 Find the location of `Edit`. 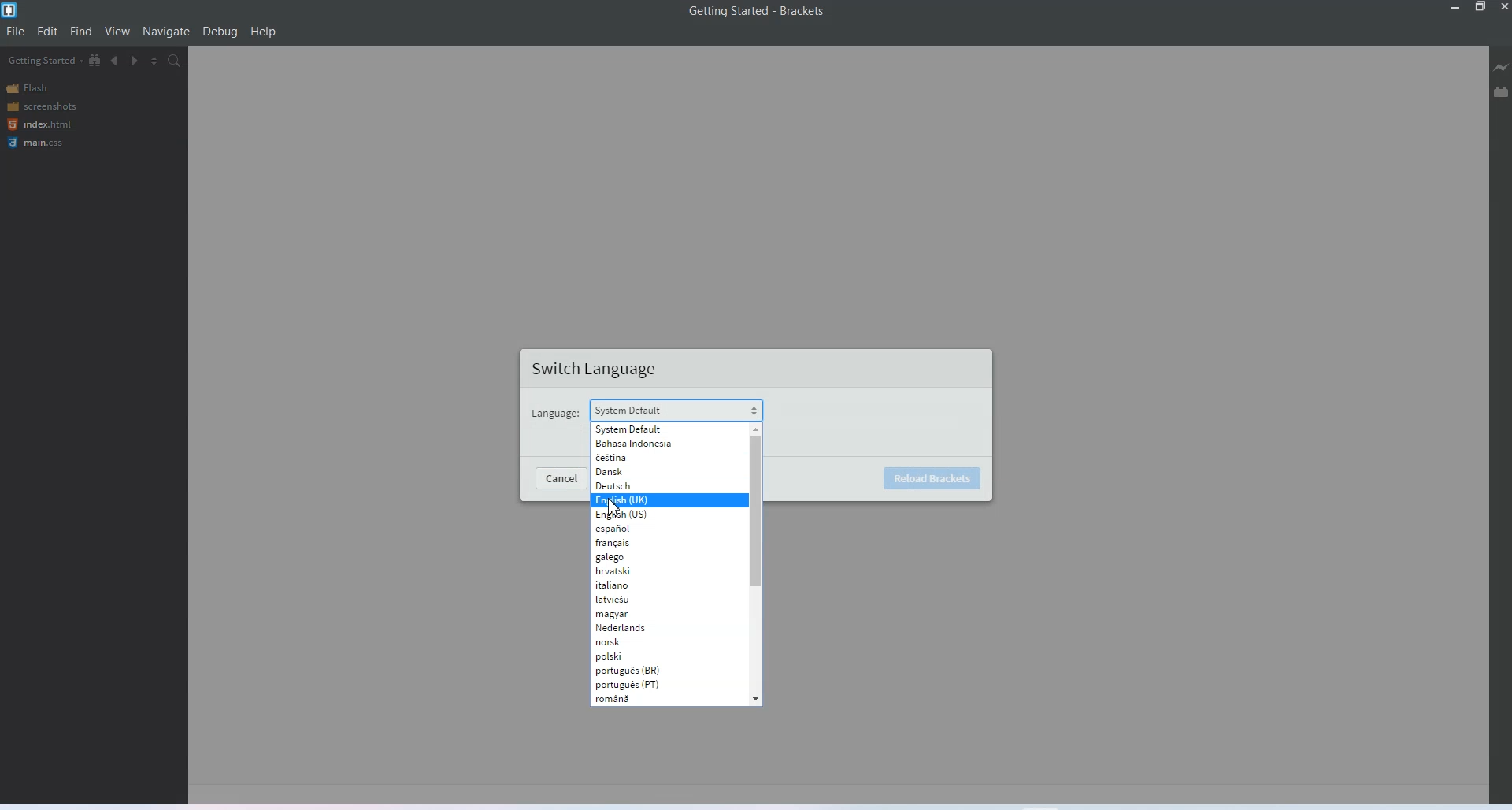

Edit is located at coordinates (47, 32).